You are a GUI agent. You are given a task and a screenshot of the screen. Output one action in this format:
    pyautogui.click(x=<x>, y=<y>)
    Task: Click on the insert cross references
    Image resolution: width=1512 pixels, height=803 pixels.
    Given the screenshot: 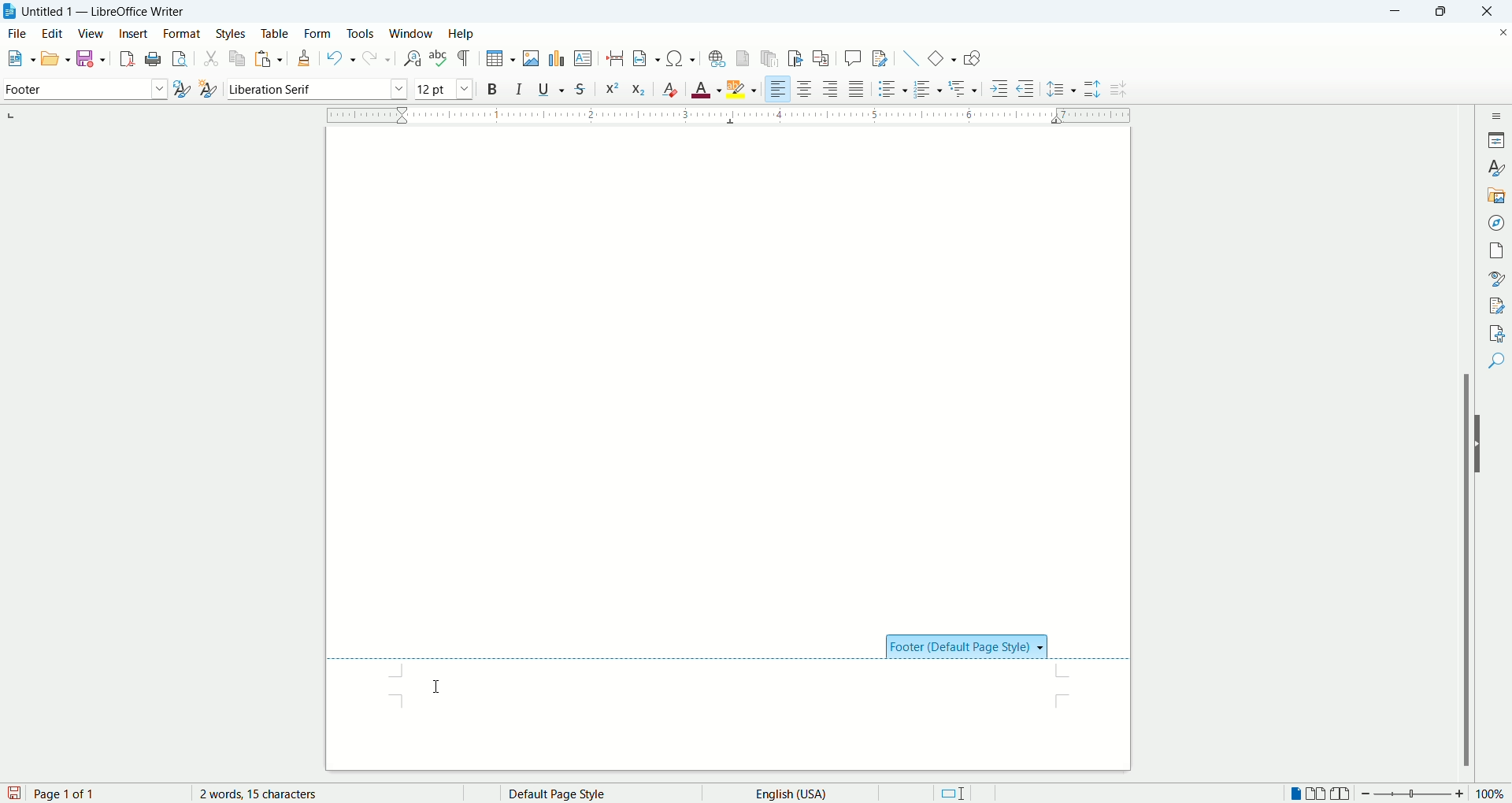 What is the action you would take?
    pyautogui.click(x=821, y=59)
    